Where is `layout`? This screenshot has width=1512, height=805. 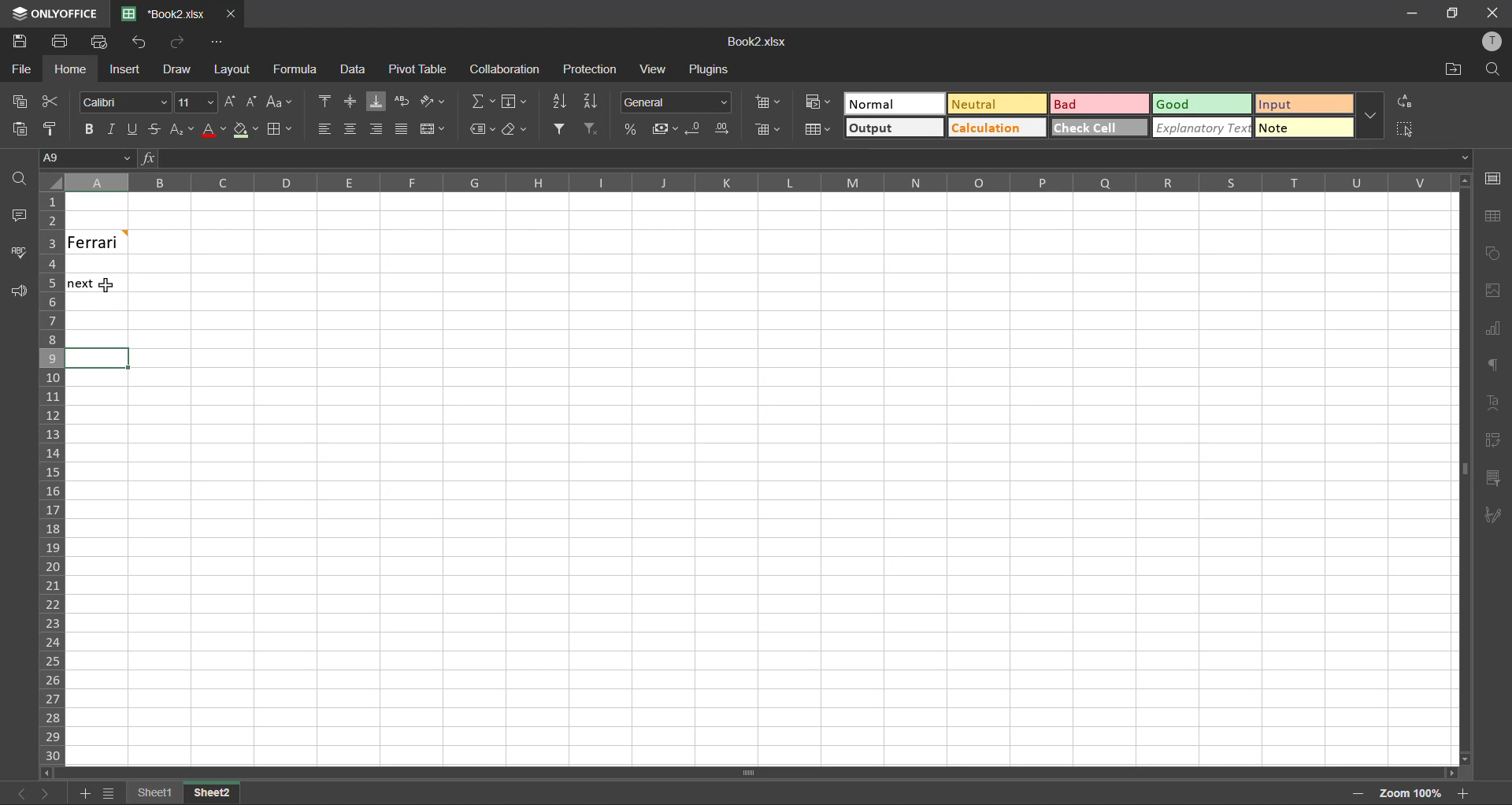
layout is located at coordinates (229, 69).